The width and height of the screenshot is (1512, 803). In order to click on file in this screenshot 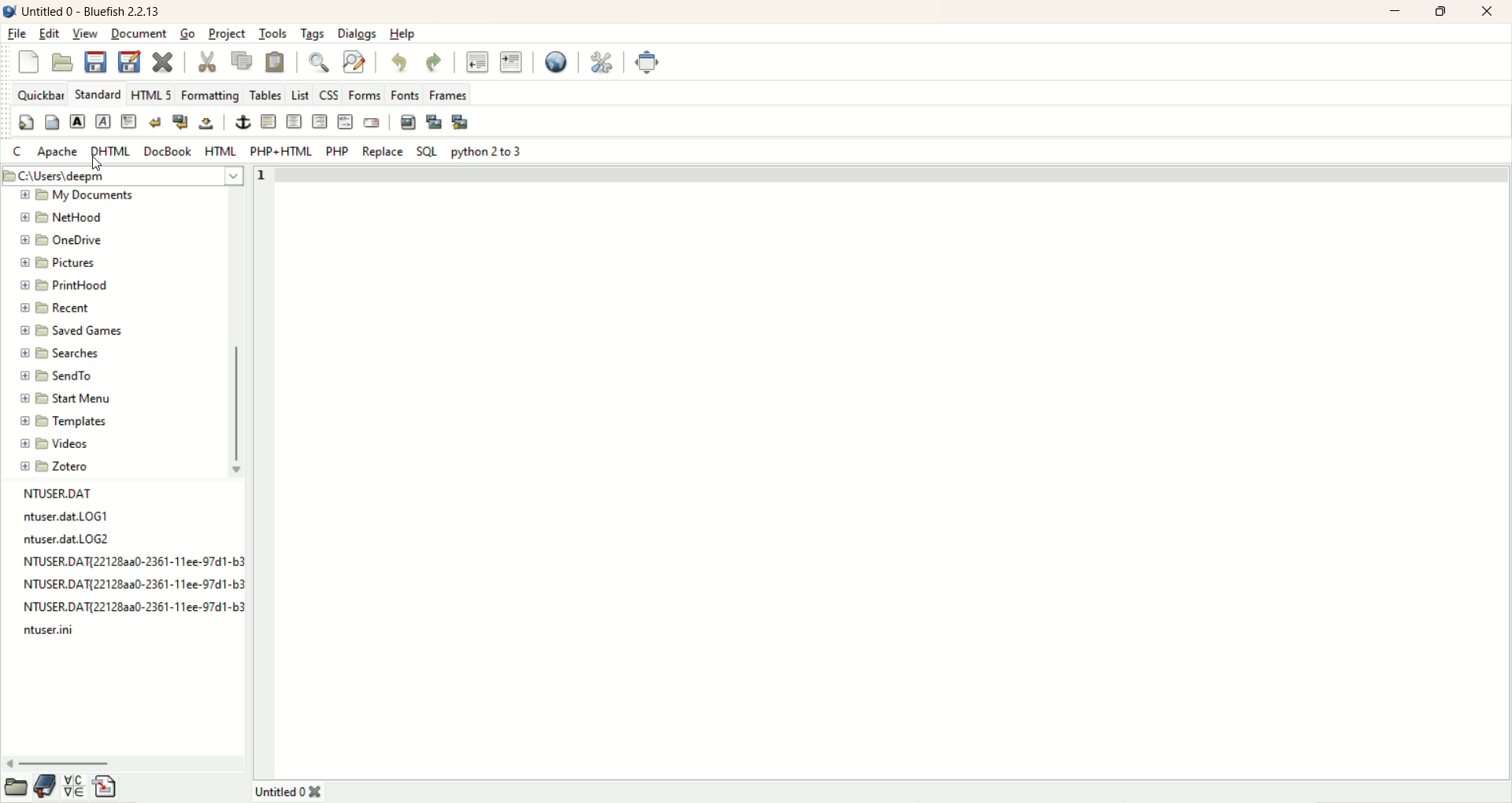, I will do `click(57, 631)`.